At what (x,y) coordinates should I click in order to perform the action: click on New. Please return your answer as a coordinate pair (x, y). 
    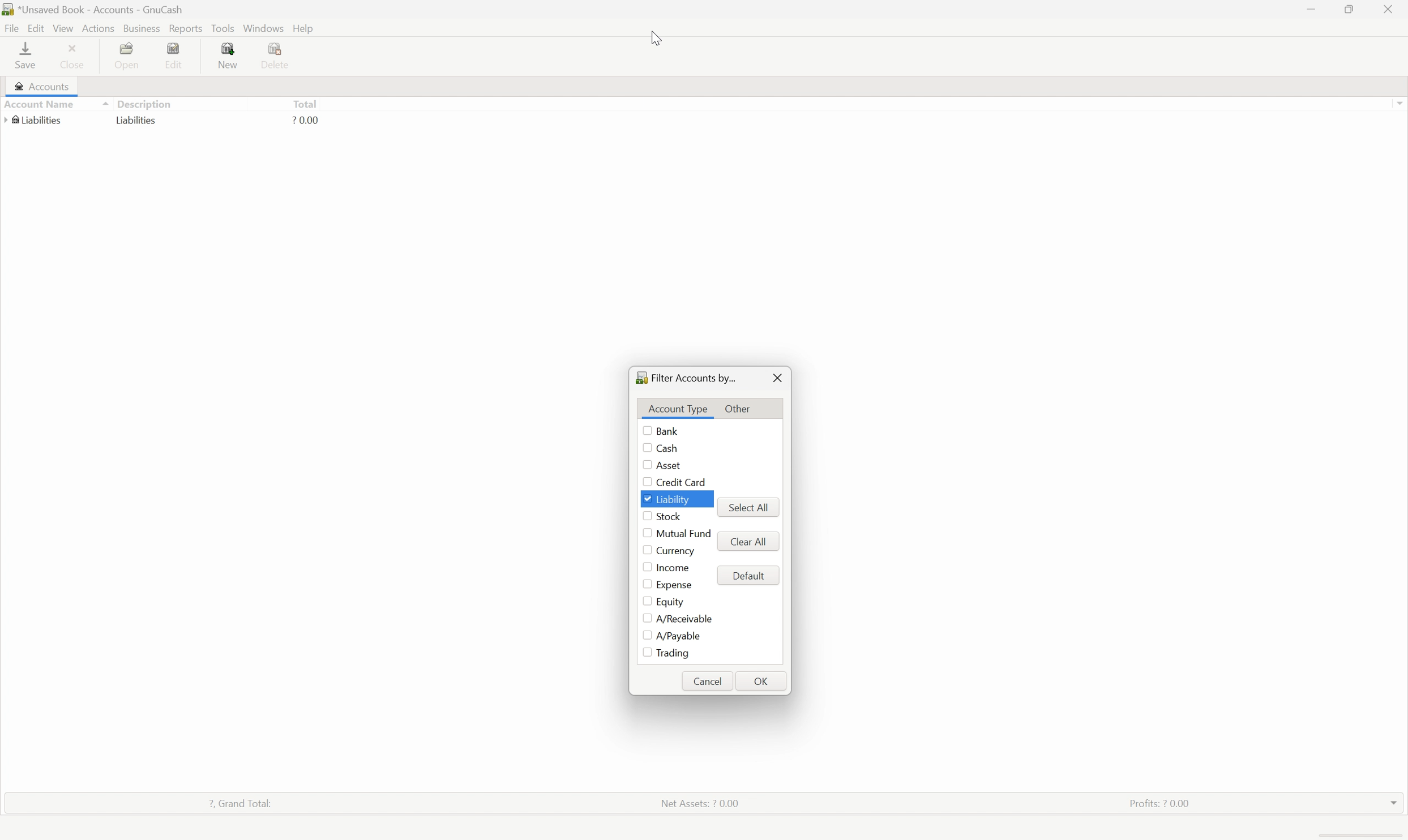
    Looking at the image, I should click on (230, 54).